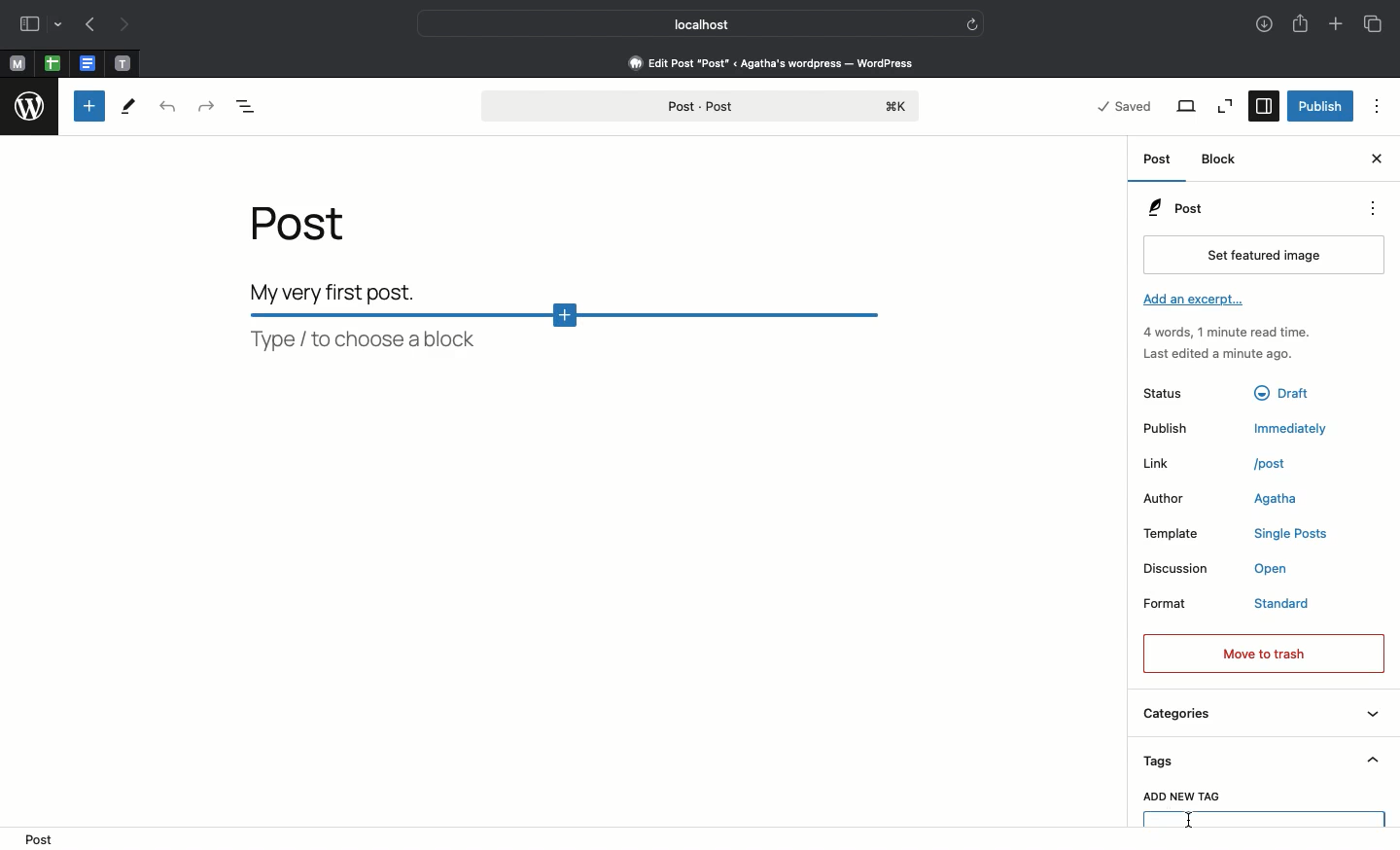 This screenshot has height=850, width=1400. I want to click on post, so click(35, 840).